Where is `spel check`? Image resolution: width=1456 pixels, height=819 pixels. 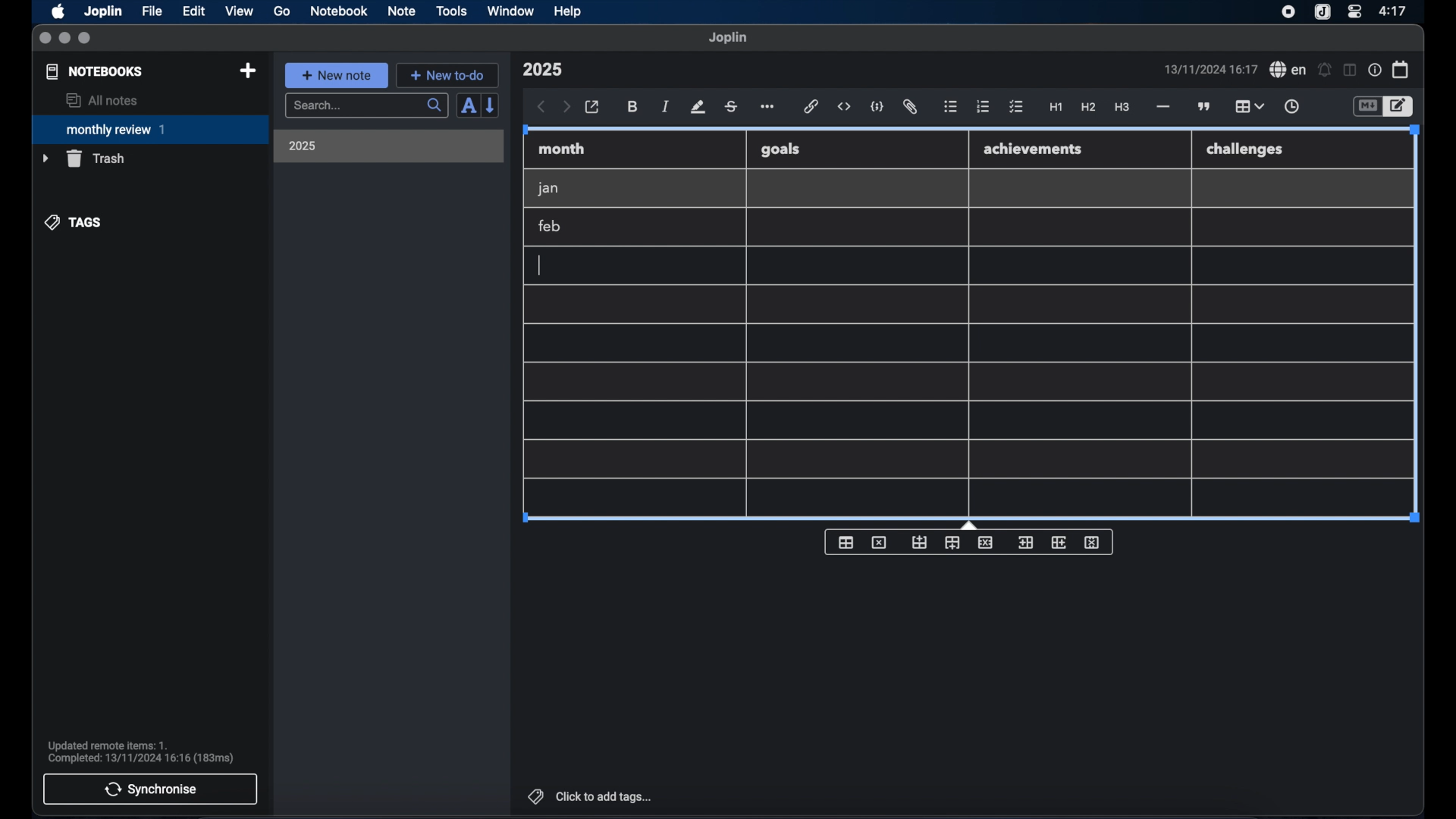 spel check is located at coordinates (1288, 70).